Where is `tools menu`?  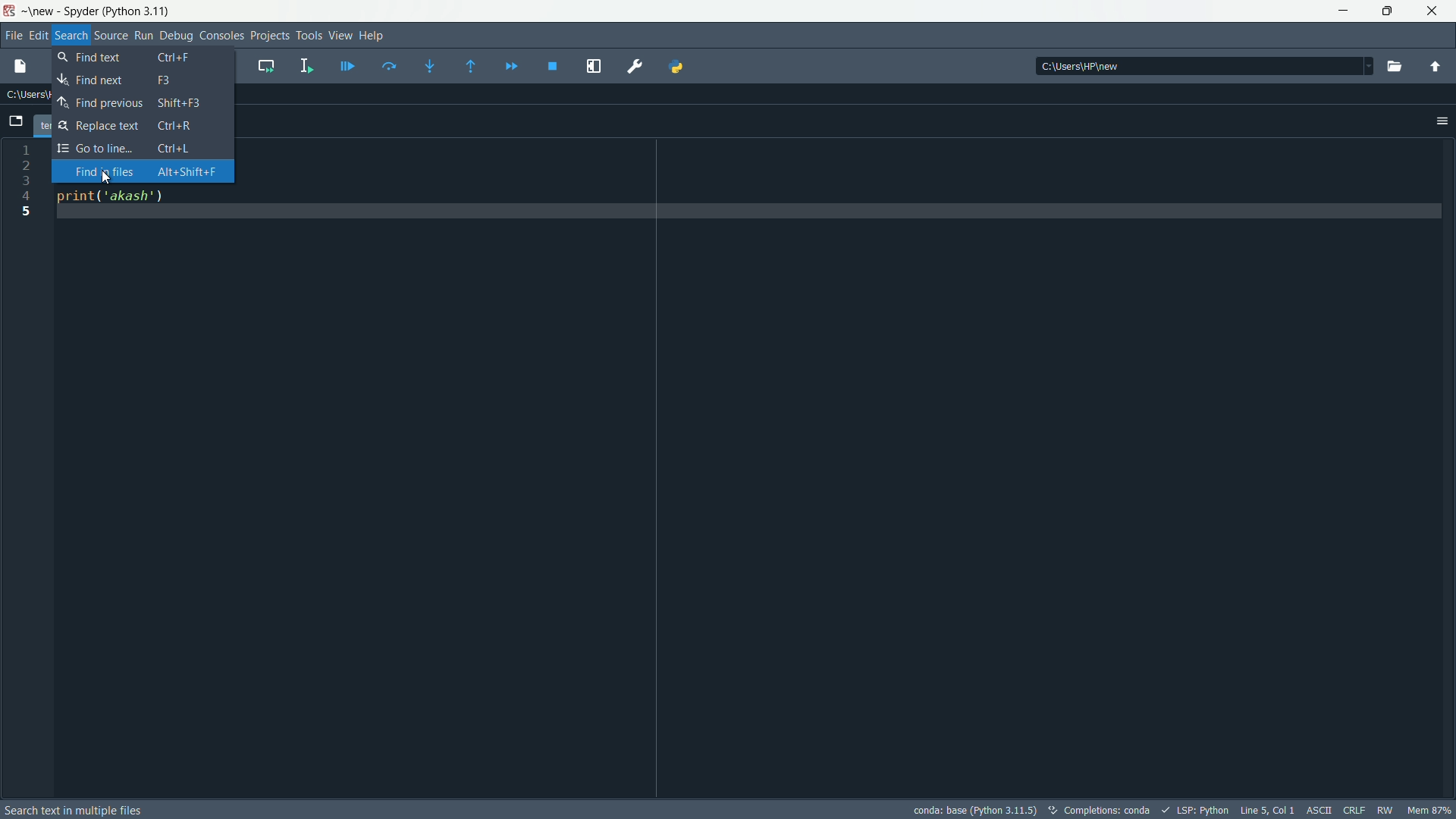 tools menu is located at coordinates (309, 37).